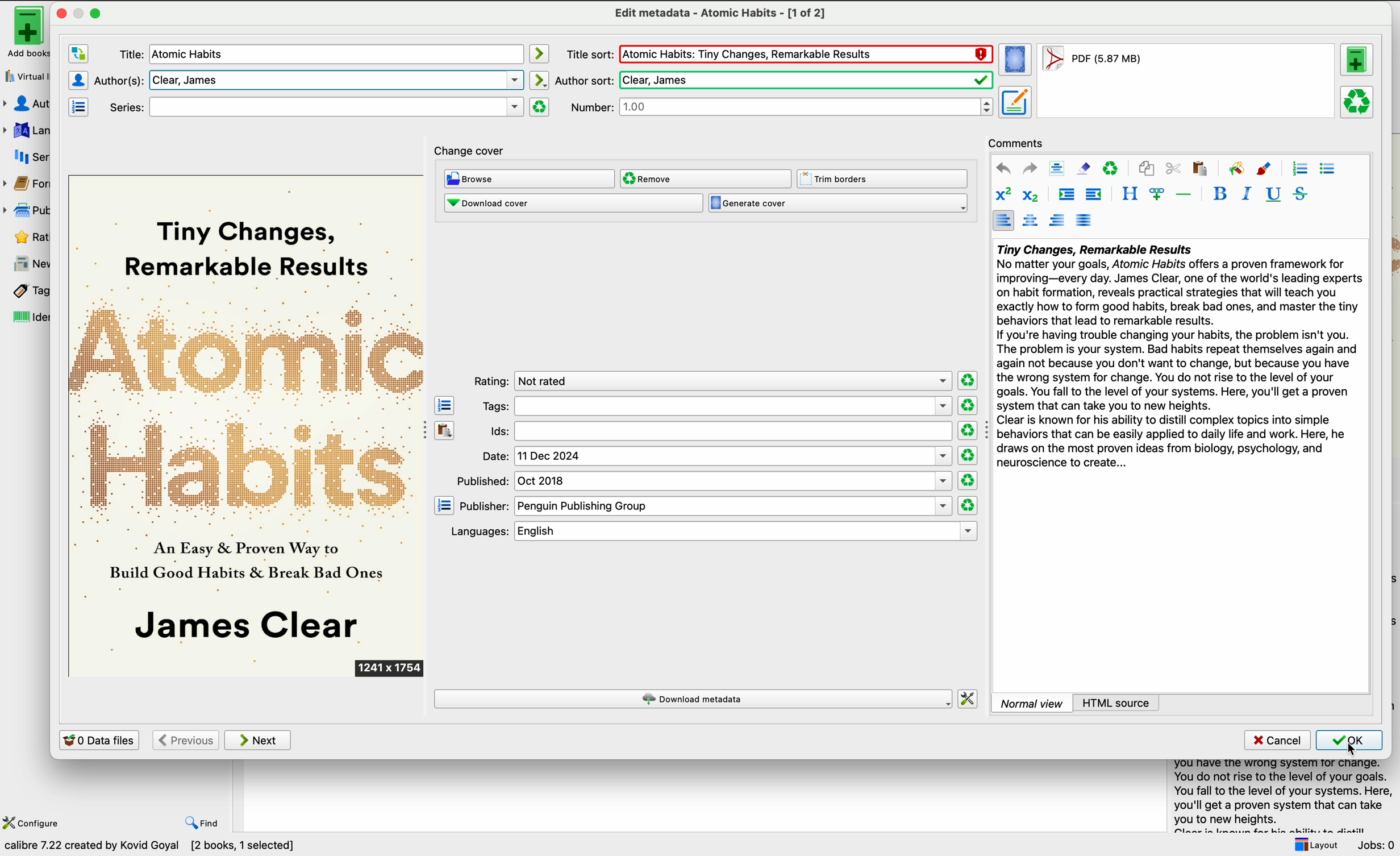  What do you see at coordinates (1184, 194) in the screenshot?
I see `insert separator` at bounding box center [1184, 194].